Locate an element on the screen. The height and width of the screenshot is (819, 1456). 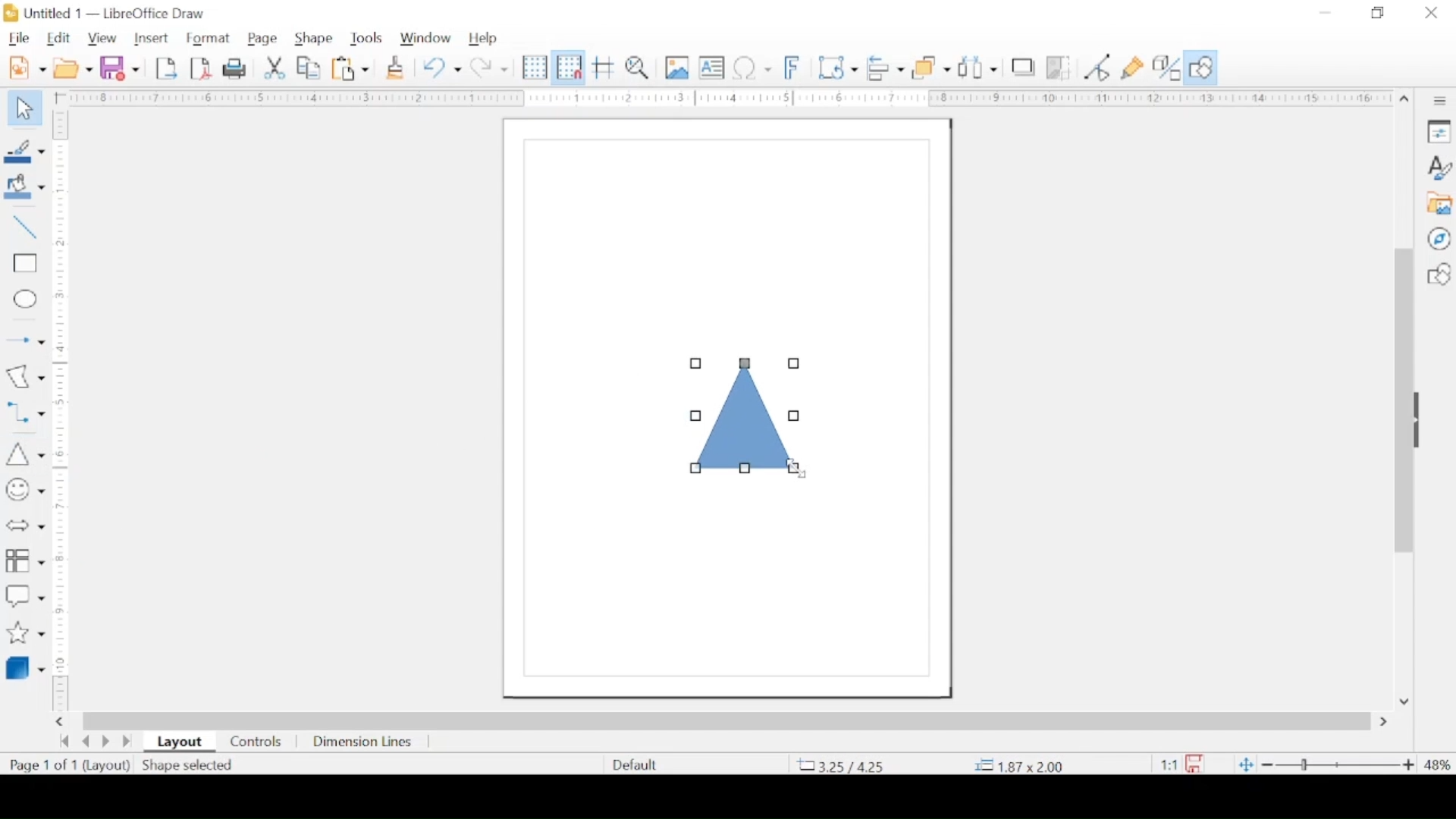
open is located at coordinates (73, 68).